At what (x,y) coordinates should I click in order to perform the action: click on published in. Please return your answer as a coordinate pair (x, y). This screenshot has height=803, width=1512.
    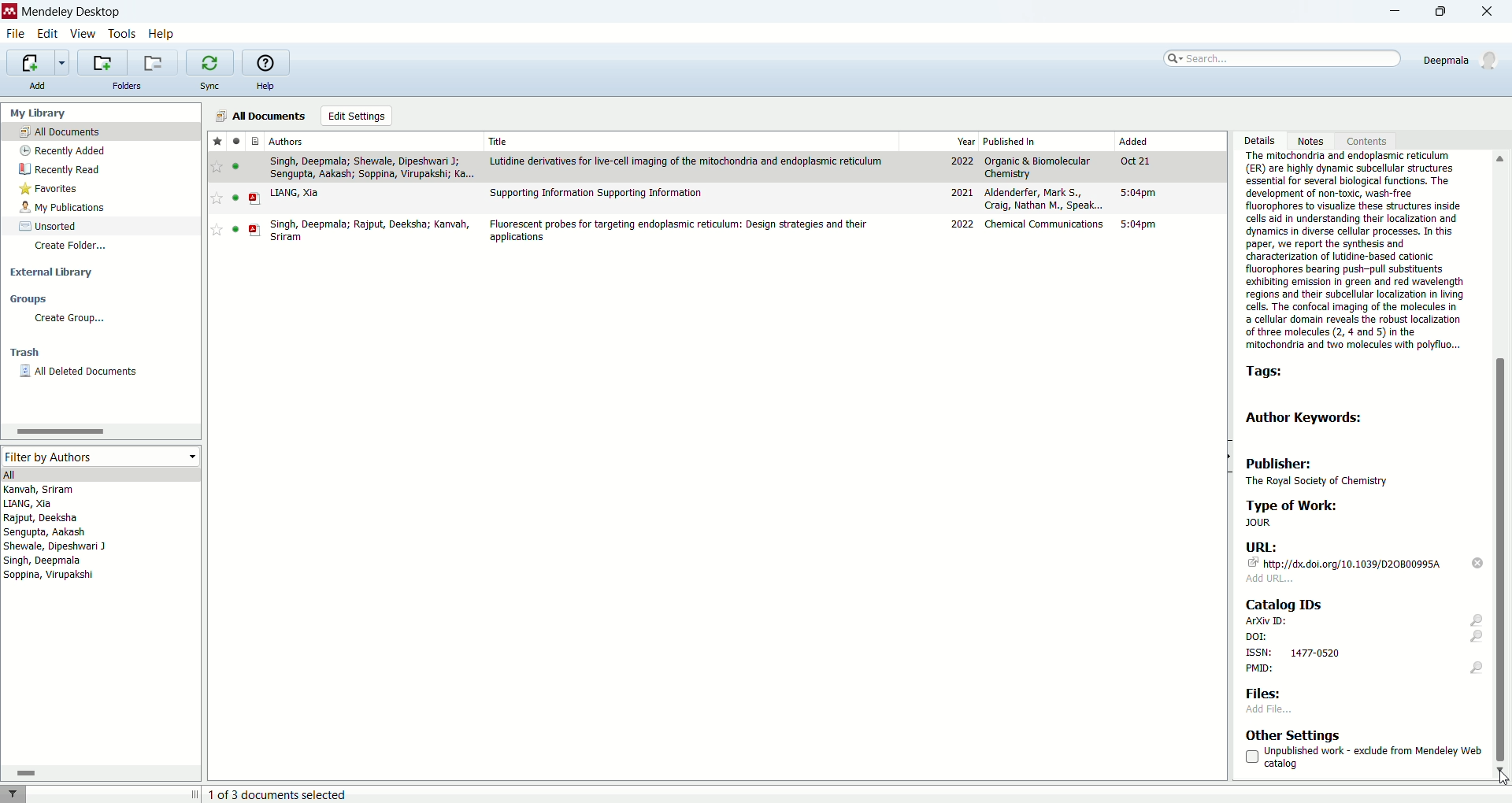
    Looking at the image, I should click on (1010, 141).